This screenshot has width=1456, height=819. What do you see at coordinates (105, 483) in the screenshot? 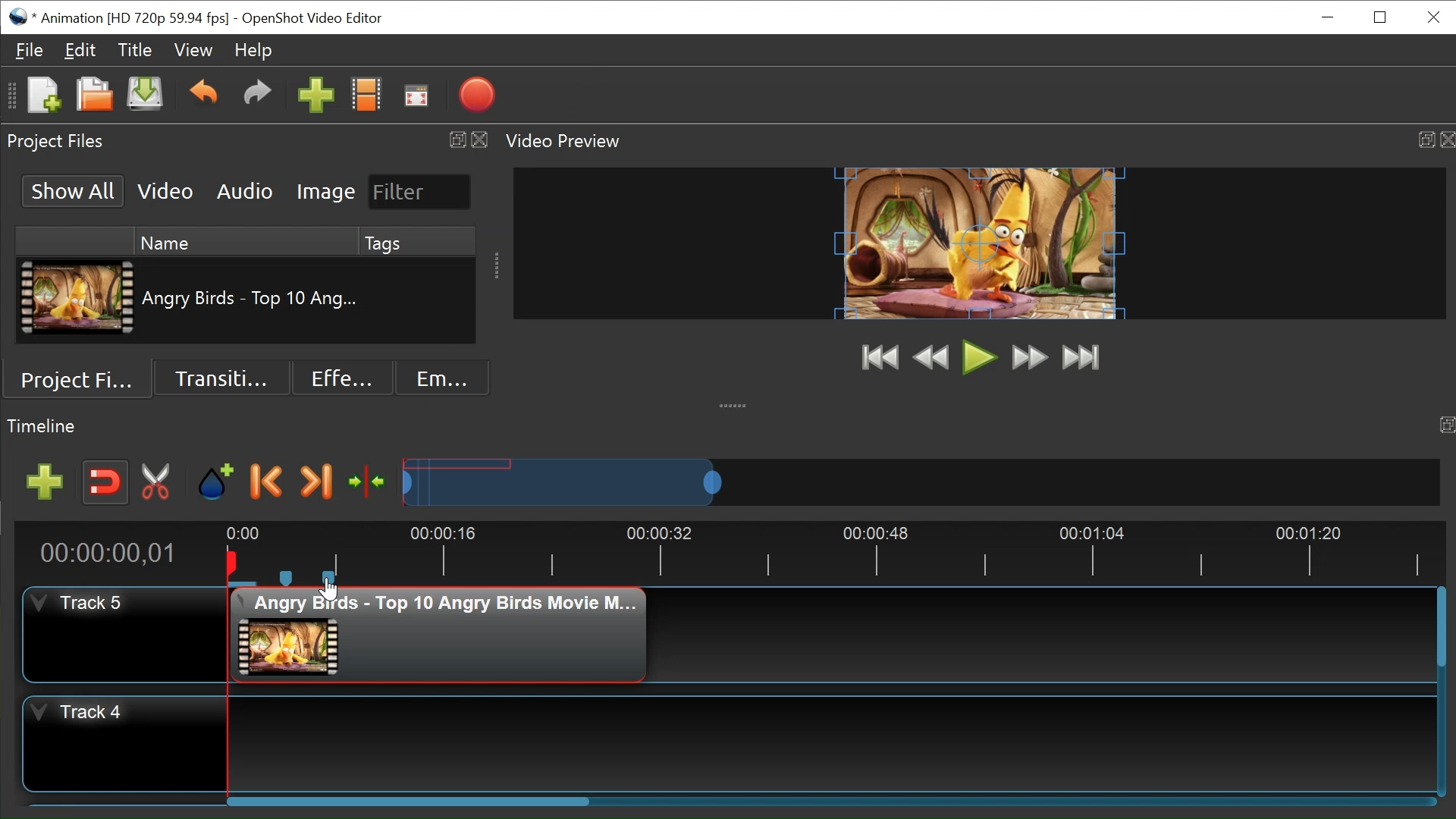
I see `Snap` at bounding box center [105, 483].